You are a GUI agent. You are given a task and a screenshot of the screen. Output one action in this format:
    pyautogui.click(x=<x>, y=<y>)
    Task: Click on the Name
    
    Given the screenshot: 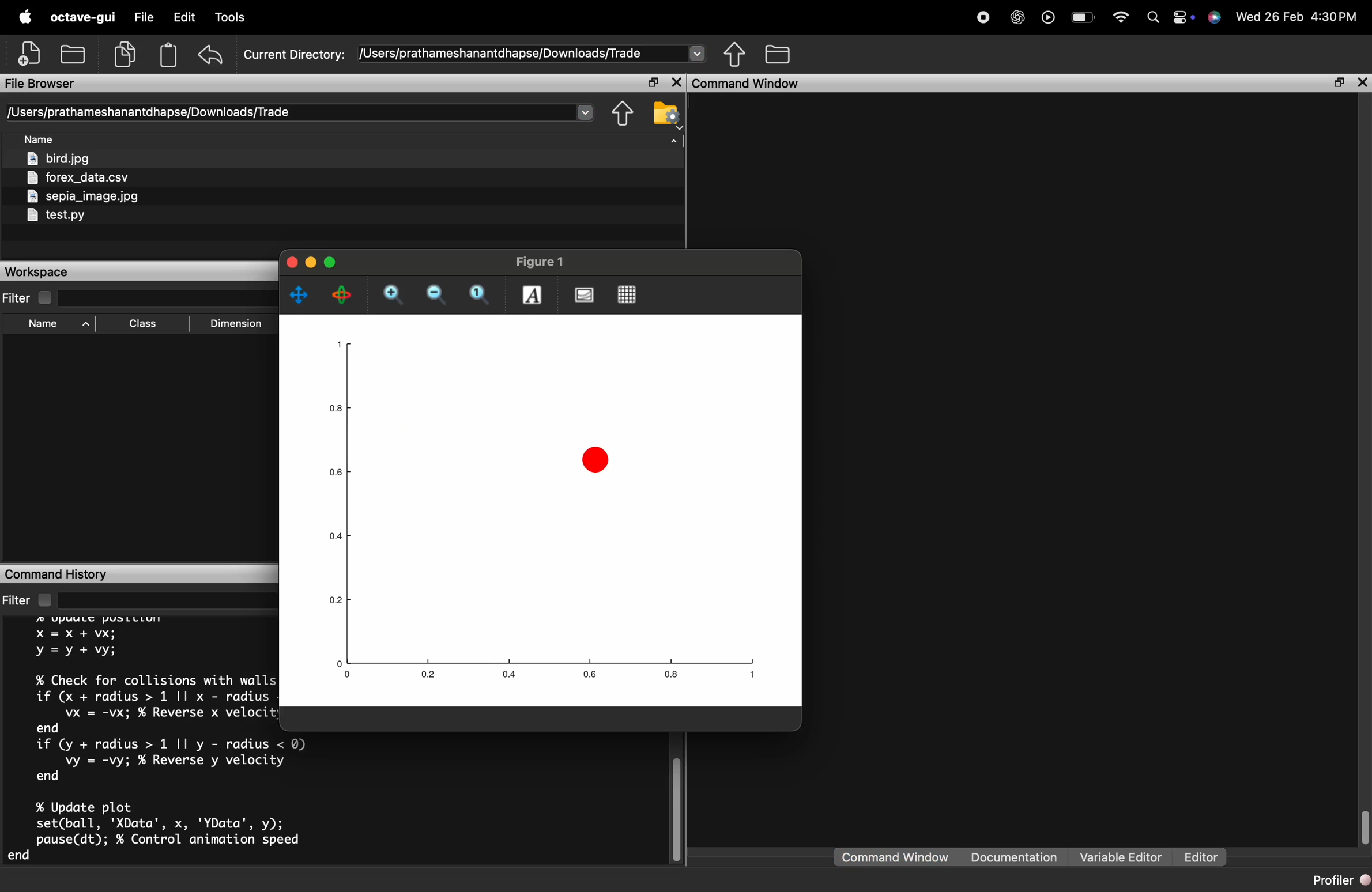 What is the action you would take?
    pyautogui.click(x=39, y=138)
    